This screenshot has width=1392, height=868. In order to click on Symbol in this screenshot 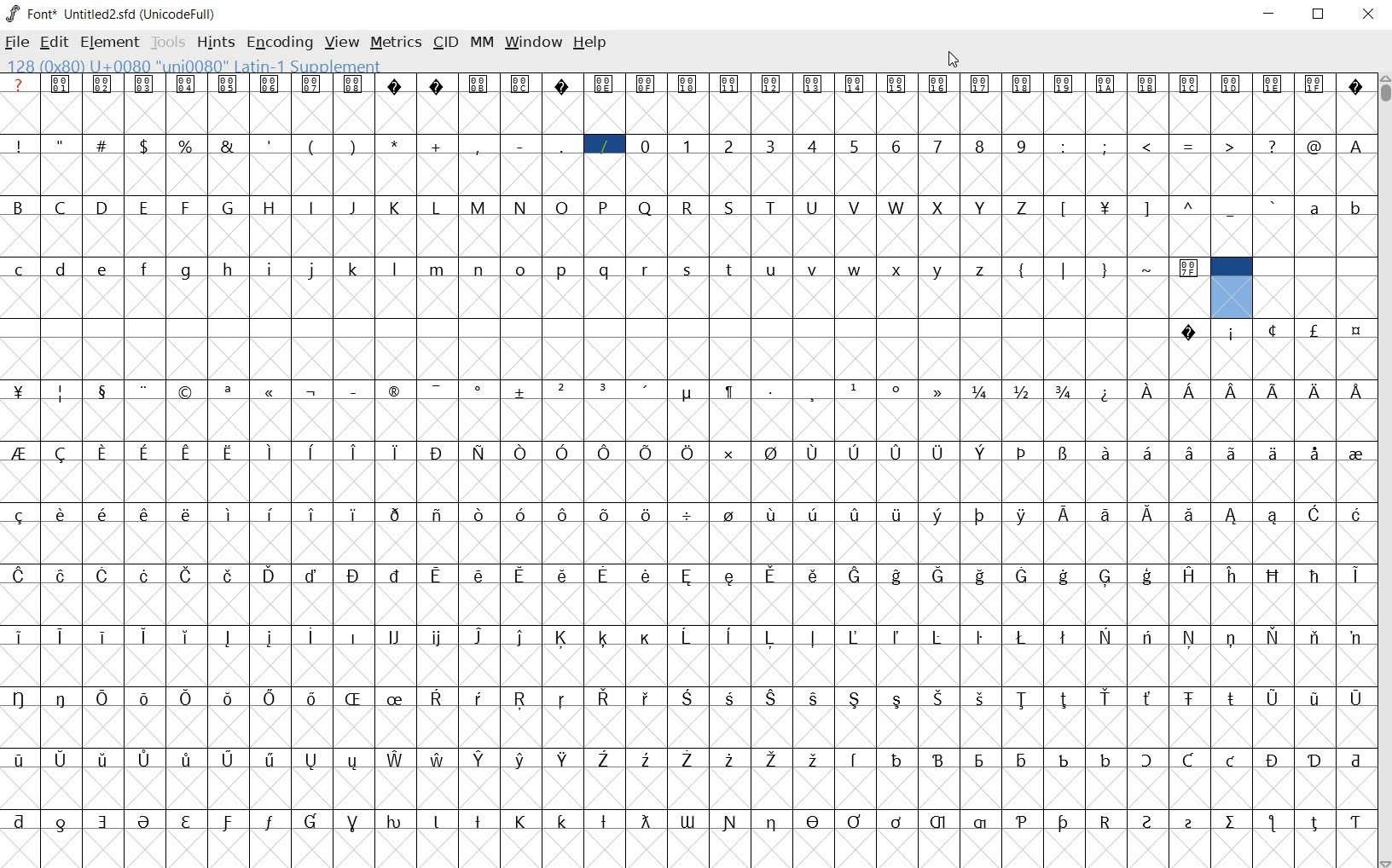, I will do `click(1231, 332)`.